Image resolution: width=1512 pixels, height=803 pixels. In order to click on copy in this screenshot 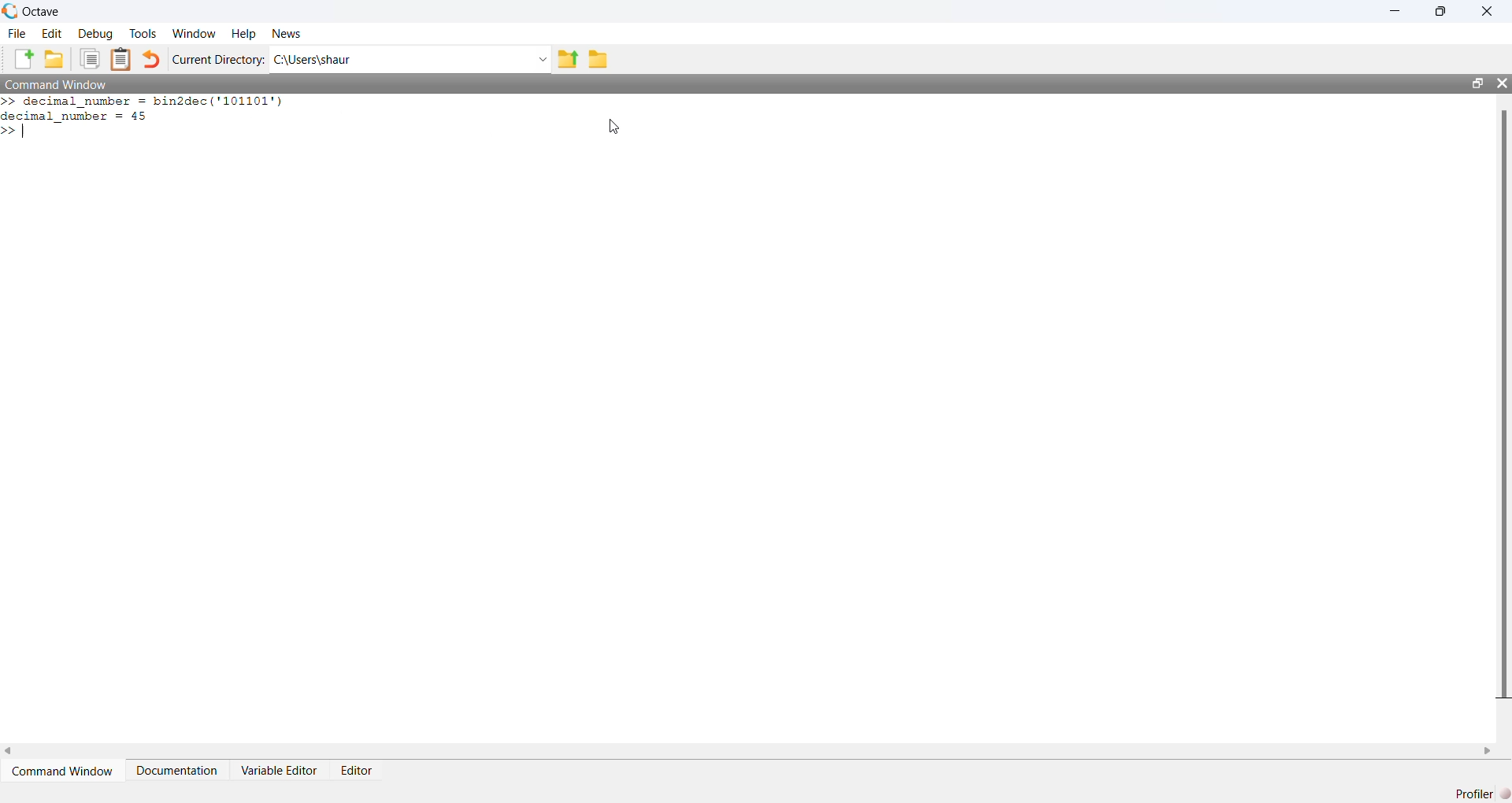, I will do `click(89, 58)`.